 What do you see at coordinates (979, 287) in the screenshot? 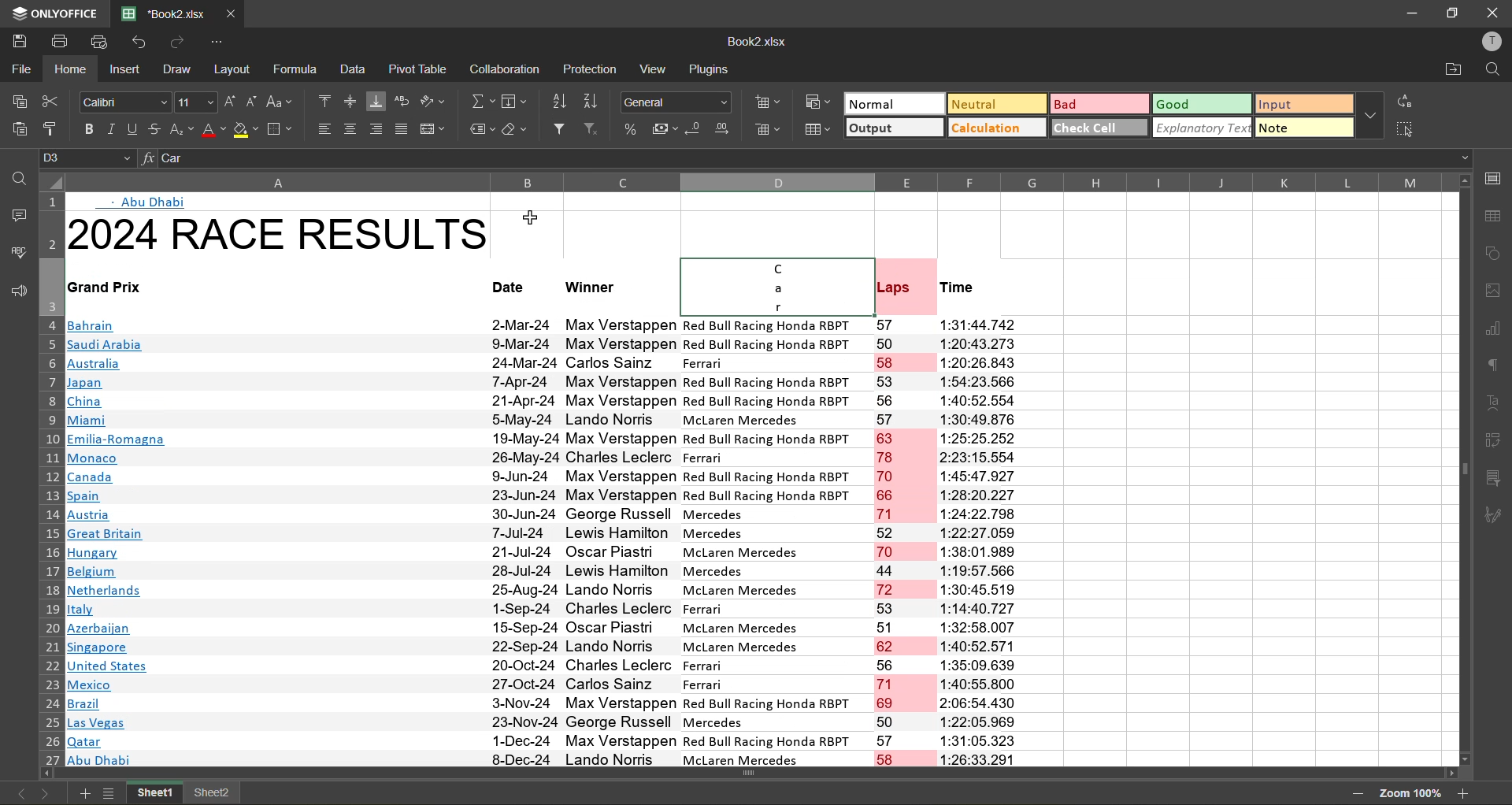
I see `Time` at bounding box center [979, 287].